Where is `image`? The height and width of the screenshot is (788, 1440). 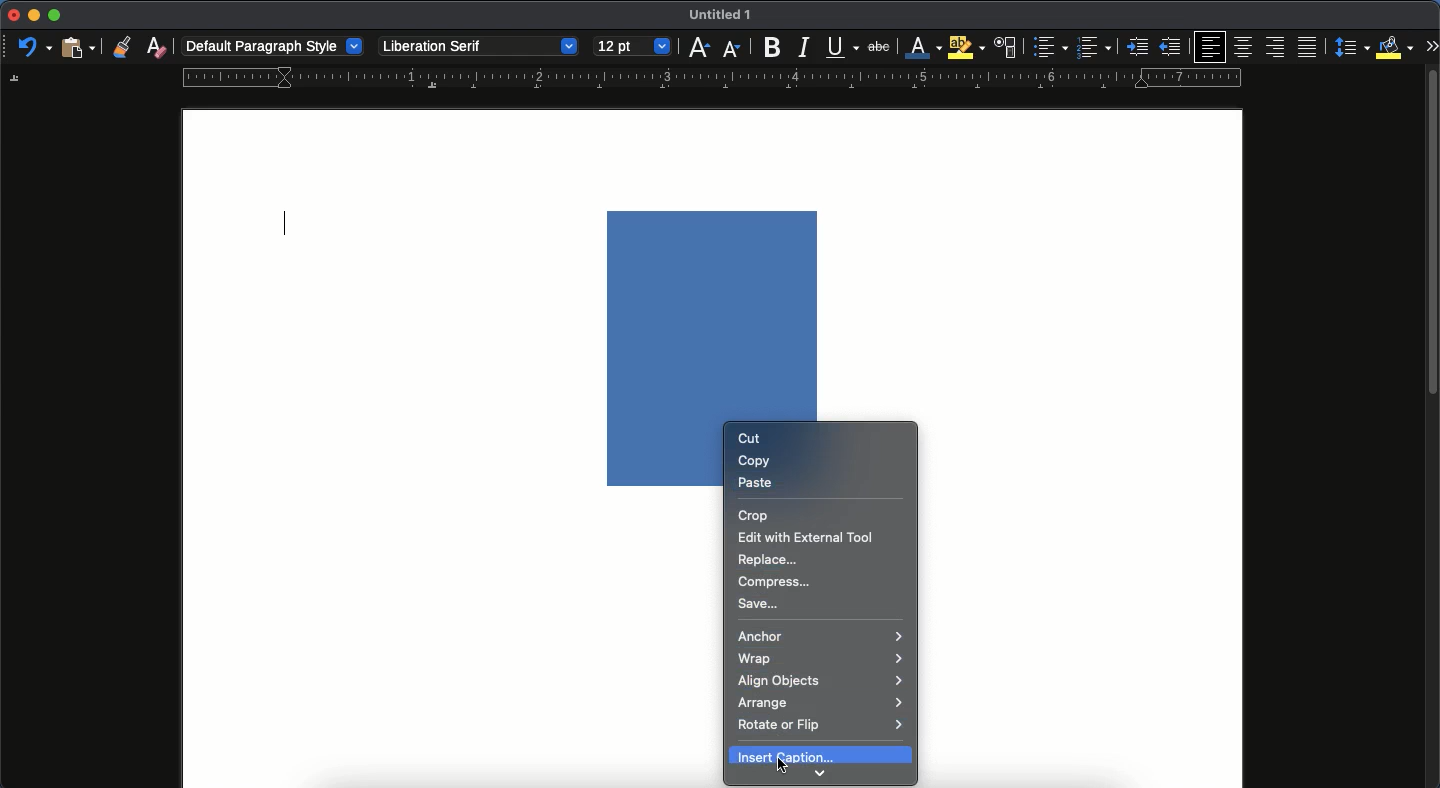
image is located at coordinates (715, 315).